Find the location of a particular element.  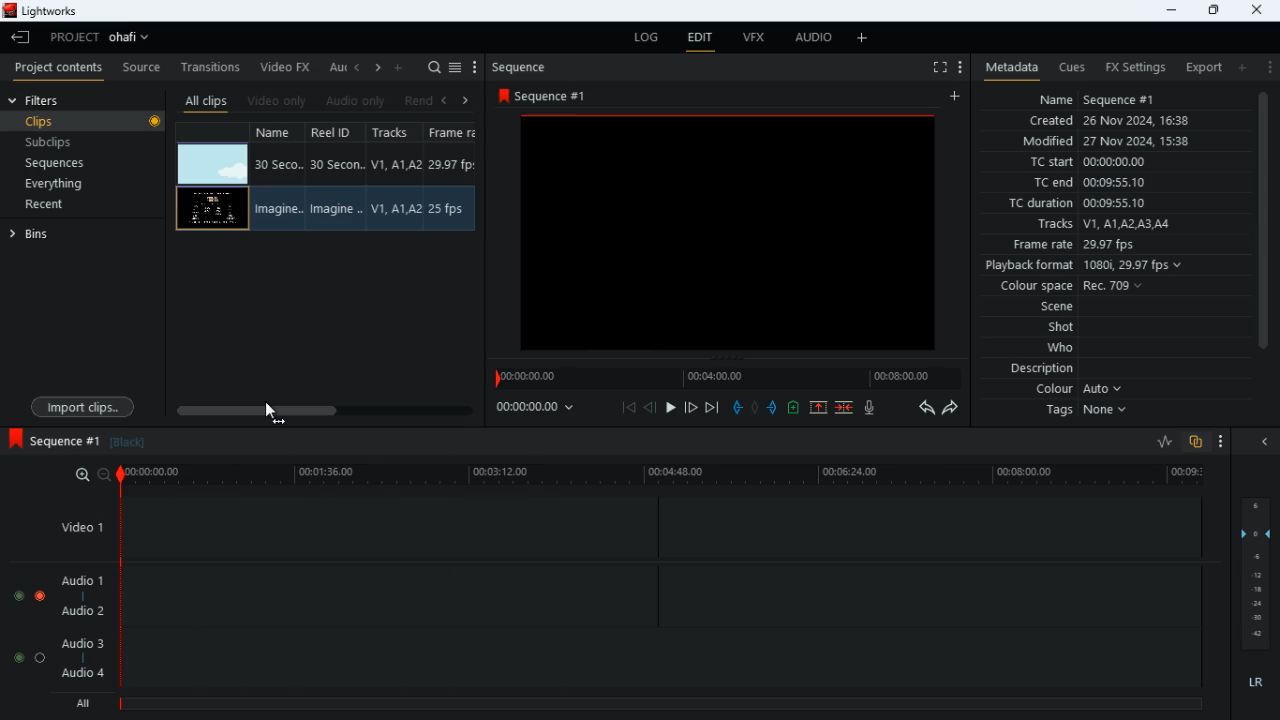

sequence is located at coordinates (522, 65).